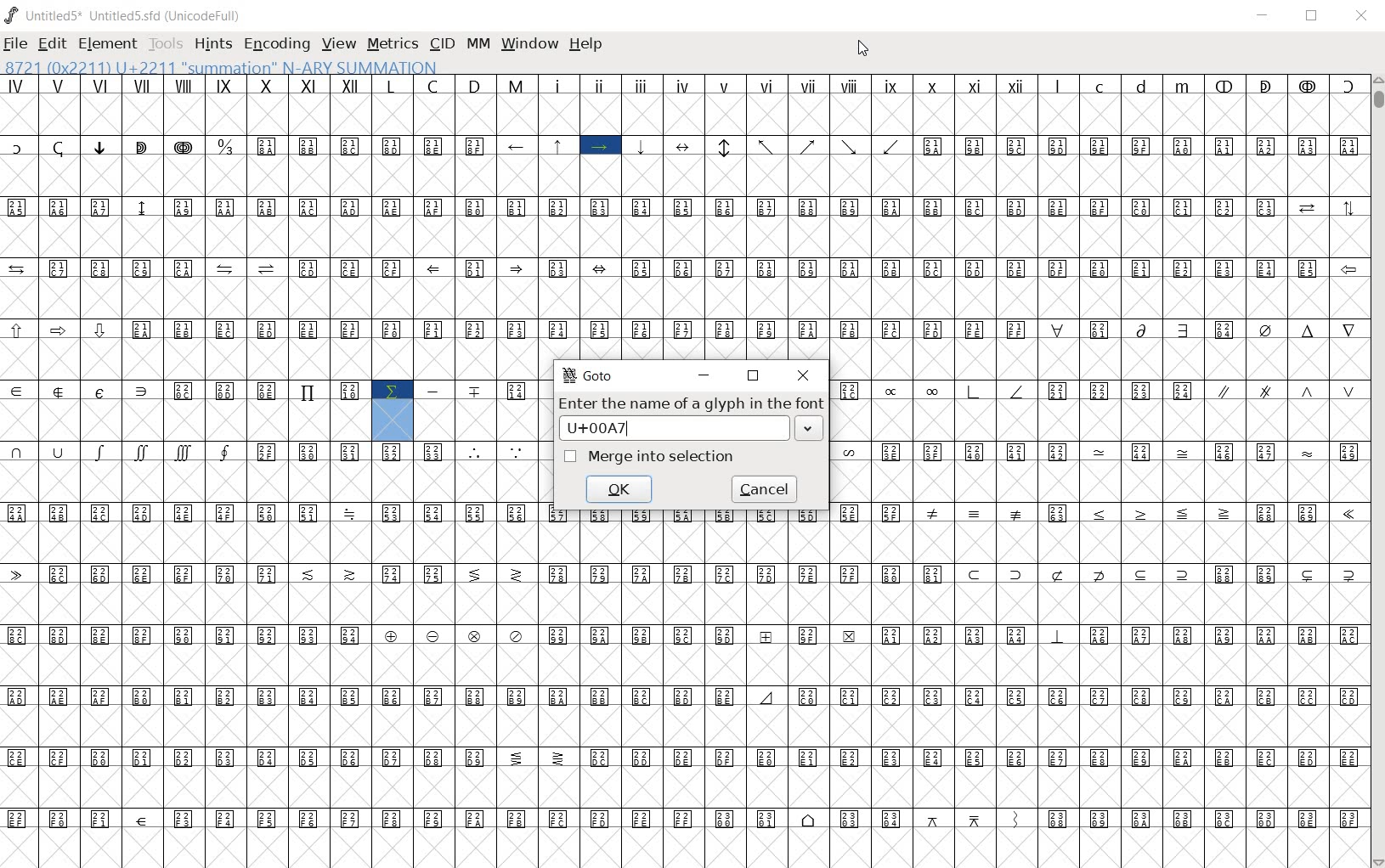 The height and width of the screenshot is (868, 1385). What do you see at coordinates (707, 375) in the screenshot?
I see `minimize` at bounding box center [707, 375].